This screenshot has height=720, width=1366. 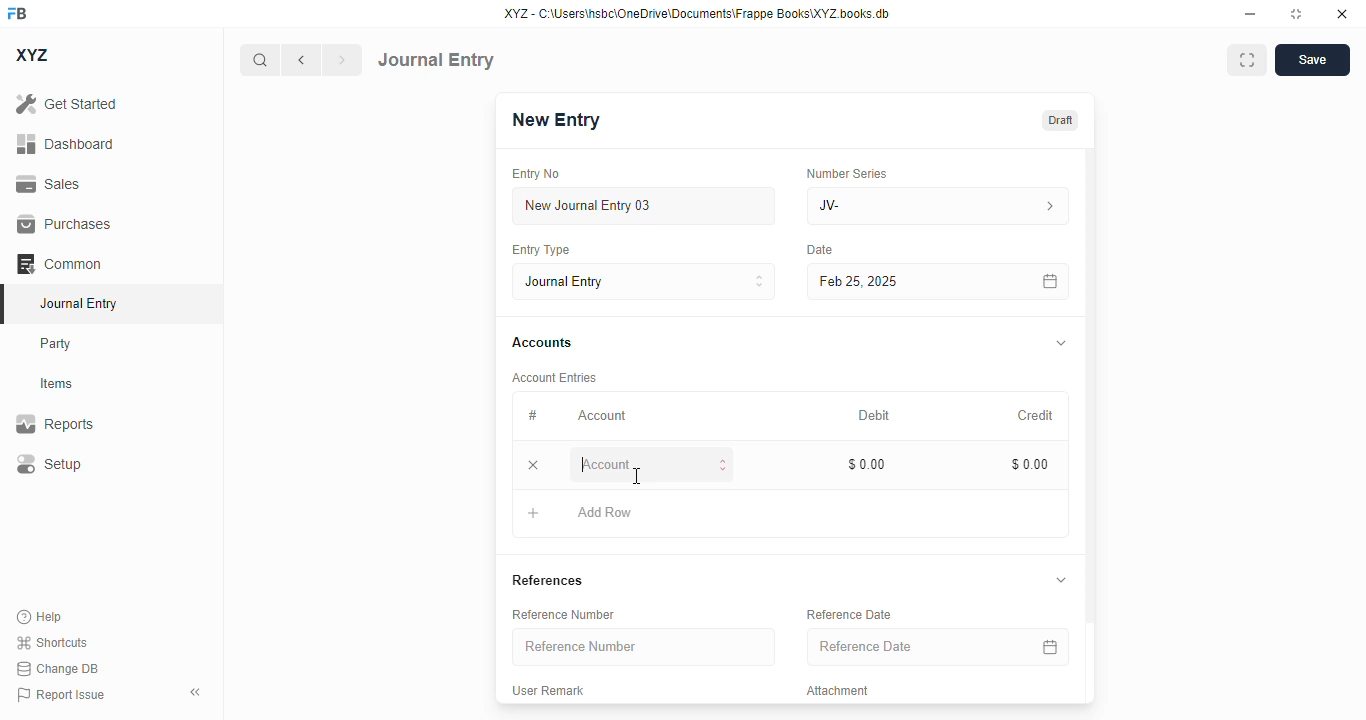 What do you see at coordinates (563, 615) in the screenshot?
I see `reference number` at bounding box center [563, 615].